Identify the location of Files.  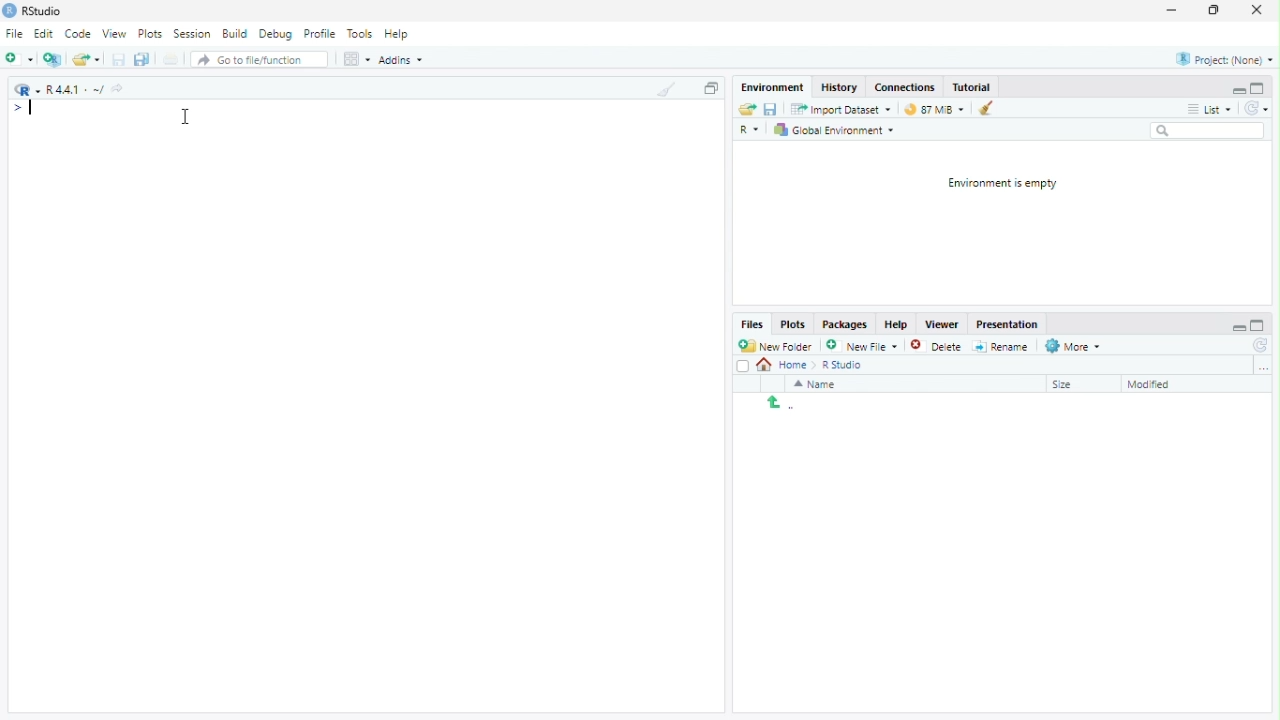
(753, 324).